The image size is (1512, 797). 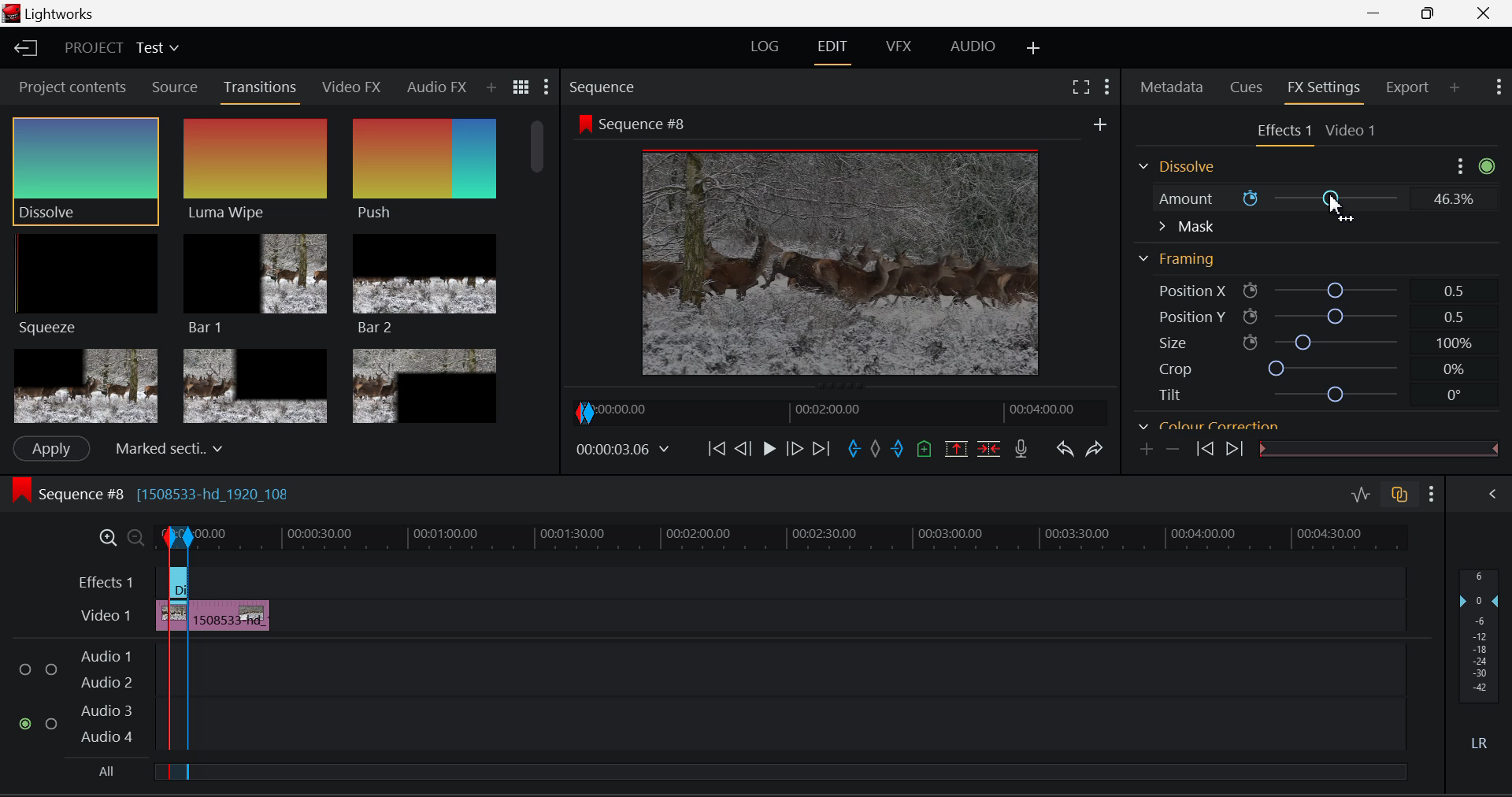 I want to click on Video Paused, so click(x=767, y=450).